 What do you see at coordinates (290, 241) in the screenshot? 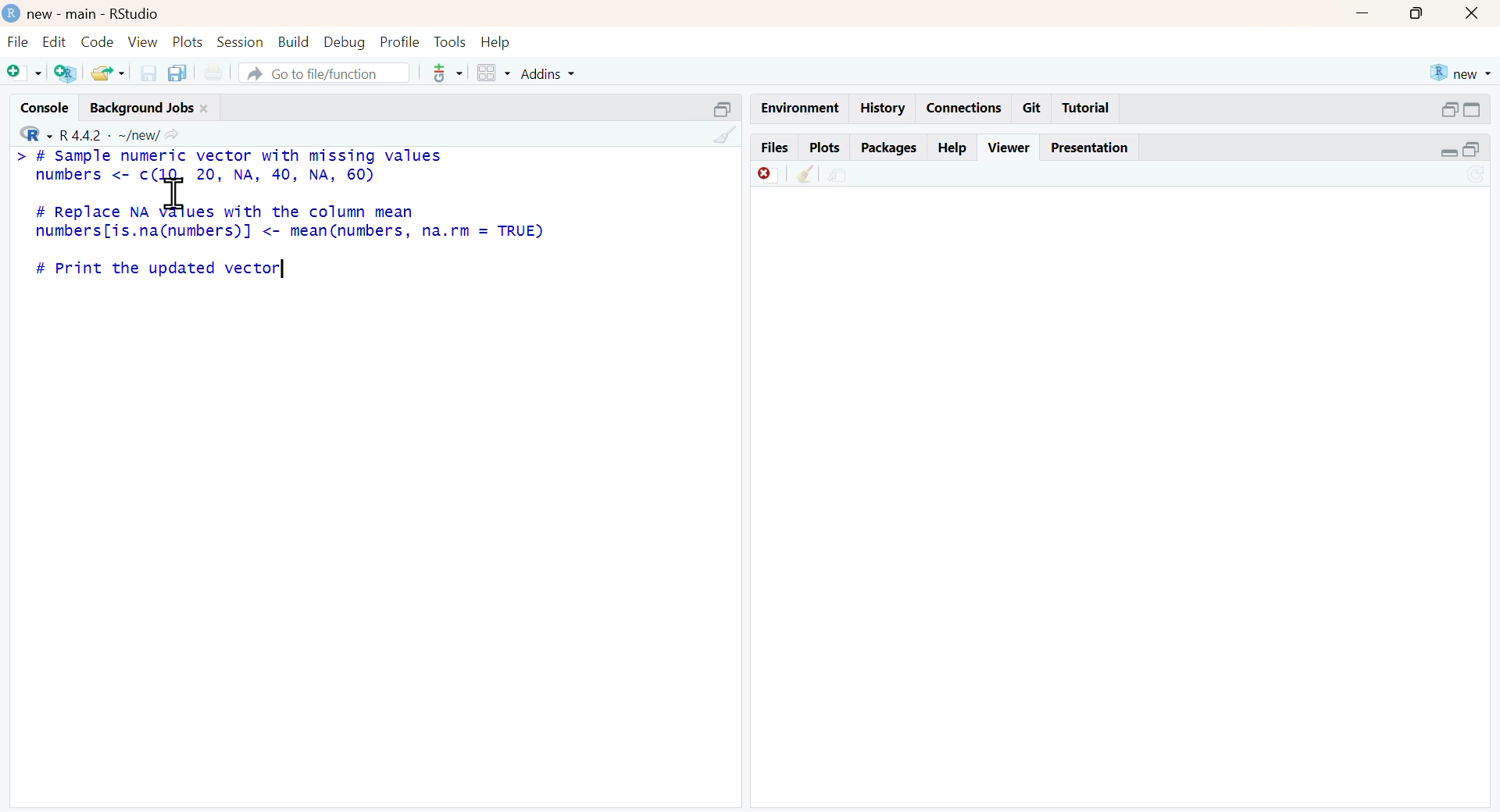
I see `# Replace NA Values with the column mean numbers[is.na(numbers)] <- mean(numbers, na.rm = TRUE) # Print the updated vector|` at bounding box center [290, 241].